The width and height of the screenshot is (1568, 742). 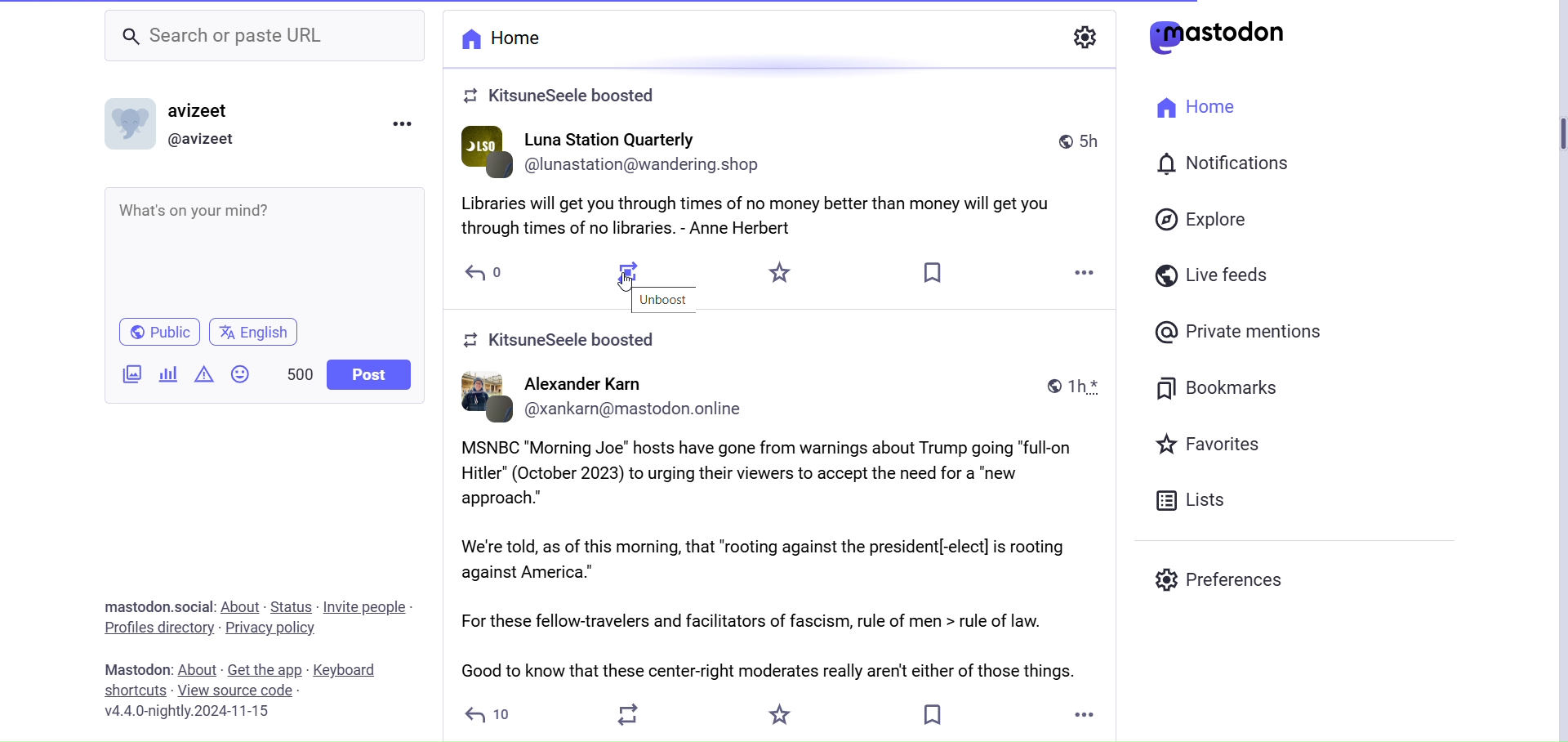 I want to click on More, so click(x=1086, y=270).